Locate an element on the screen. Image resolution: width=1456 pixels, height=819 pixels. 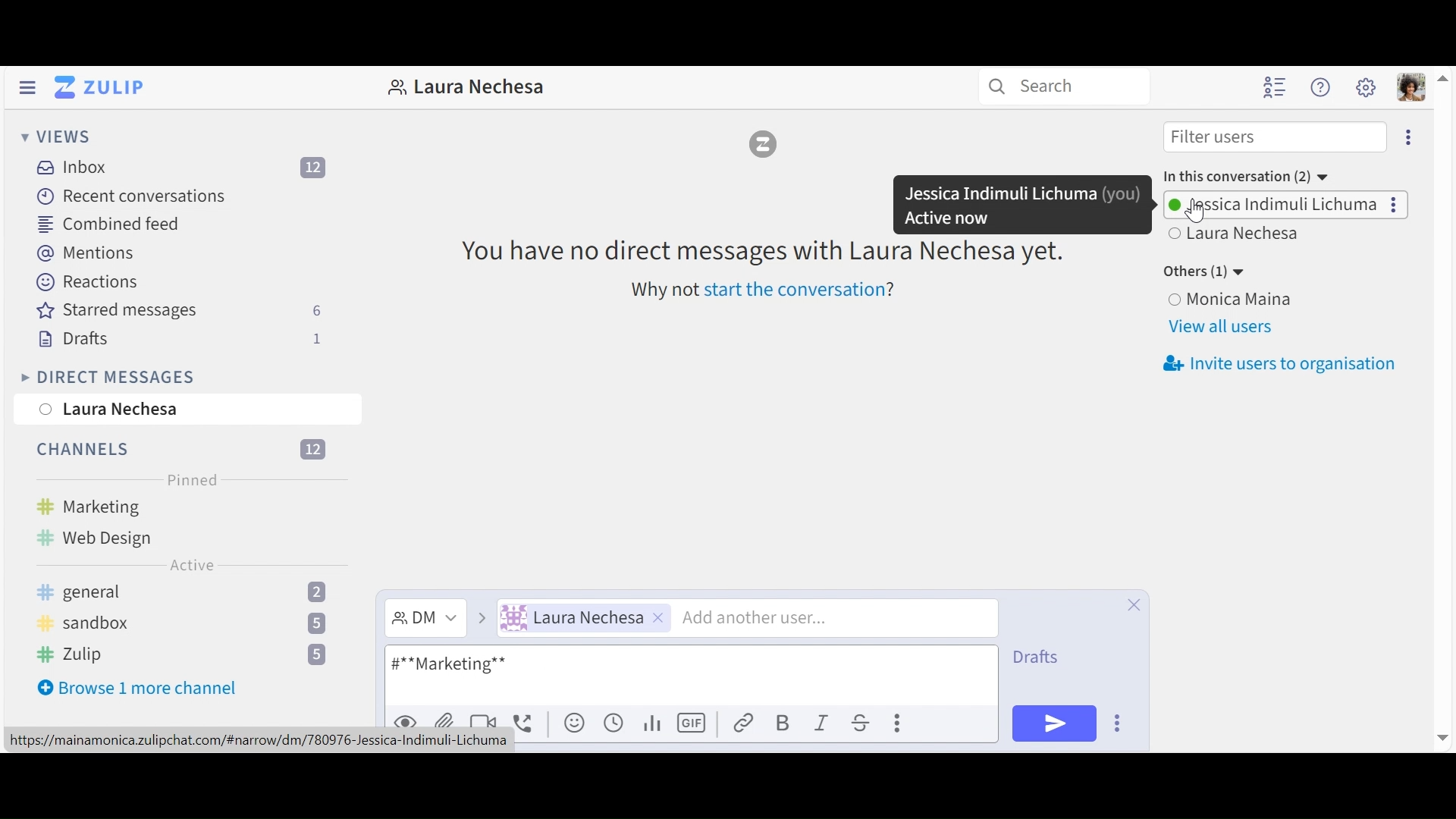
Mentions is located at coordinates (83, 252).